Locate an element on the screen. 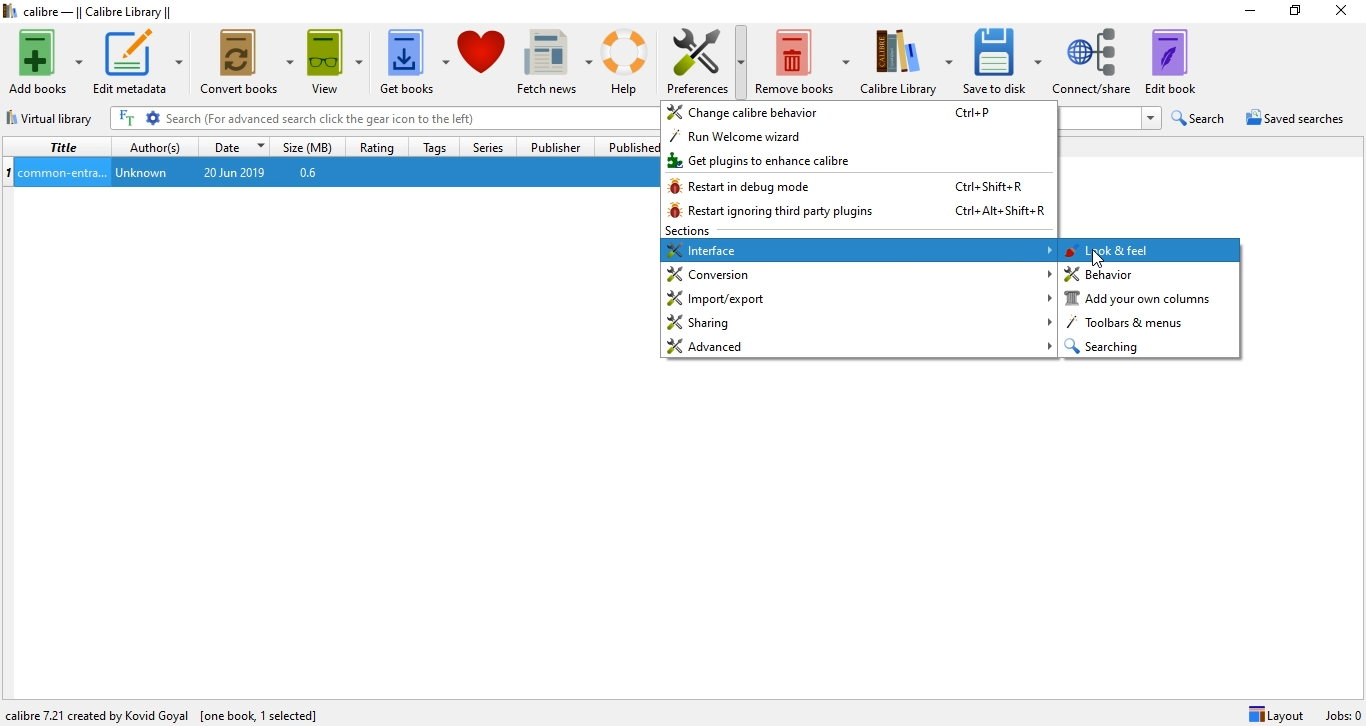 The width and height of the screenshot is (1366, 726). sections is located at coordinates (689, 231).